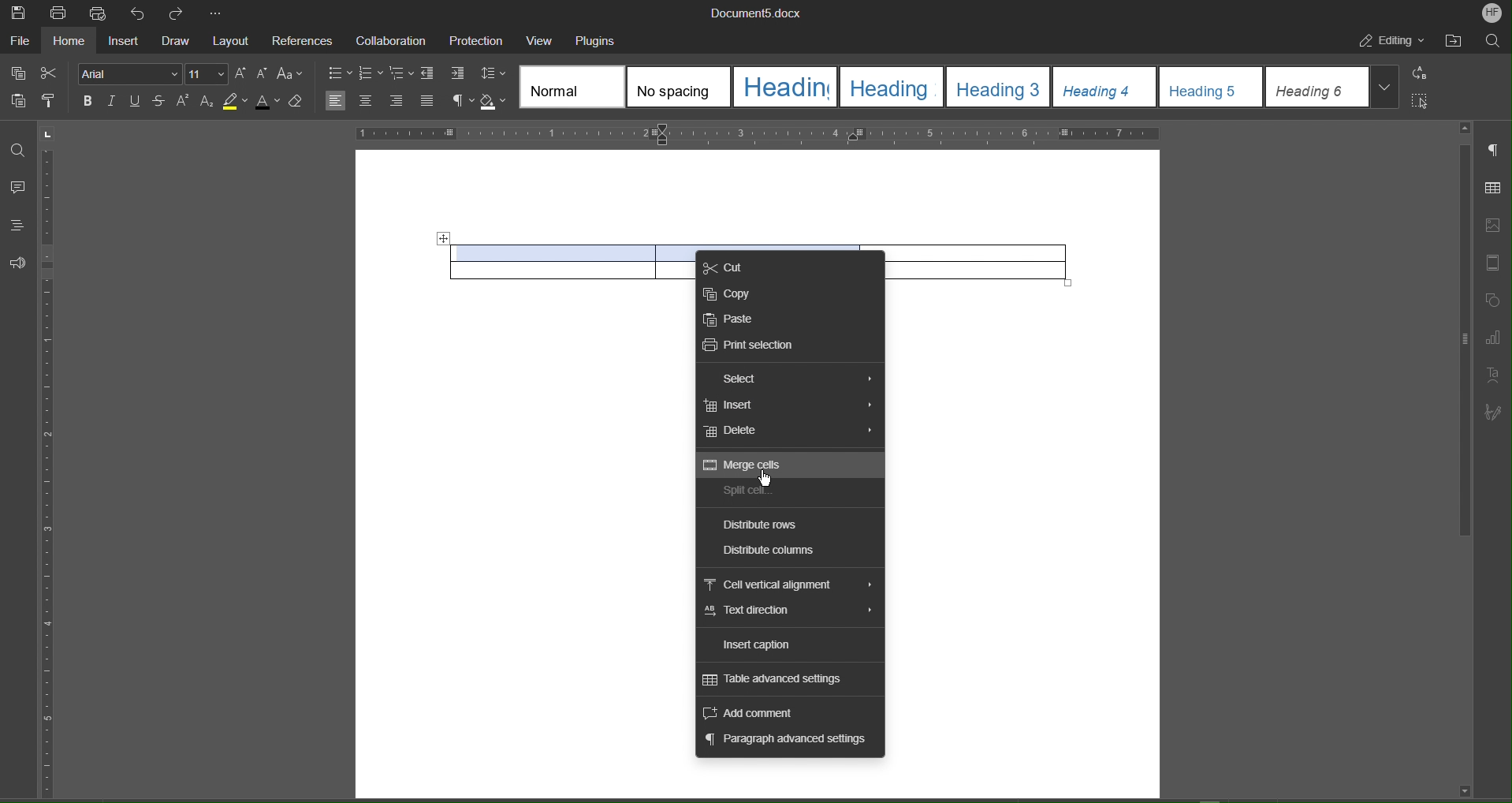  What do you see at coordinates (15, 103) in the screenshot?
I see `Paste` at bounding box center [15, 103].